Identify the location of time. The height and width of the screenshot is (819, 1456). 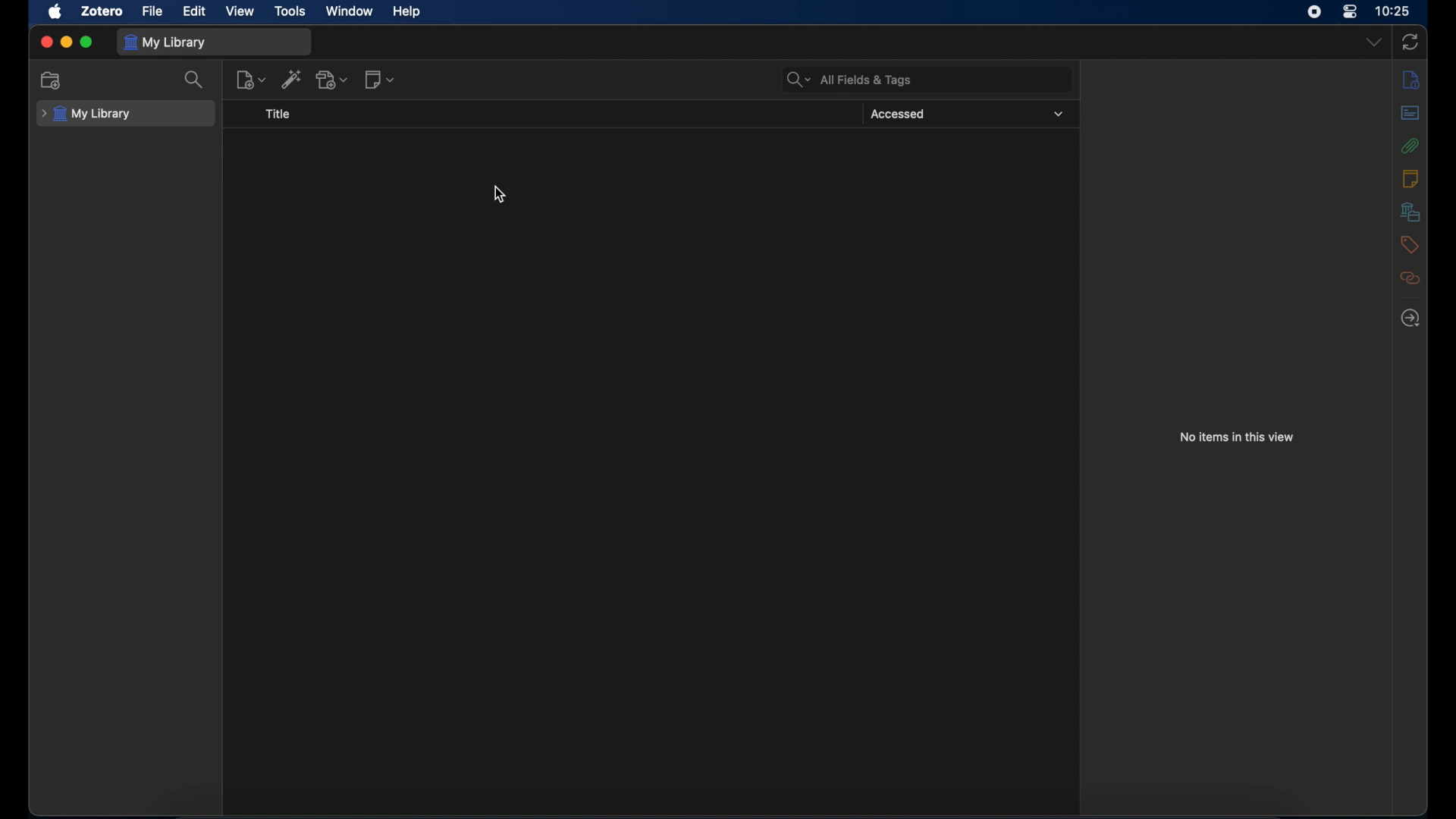
(1393, 10).